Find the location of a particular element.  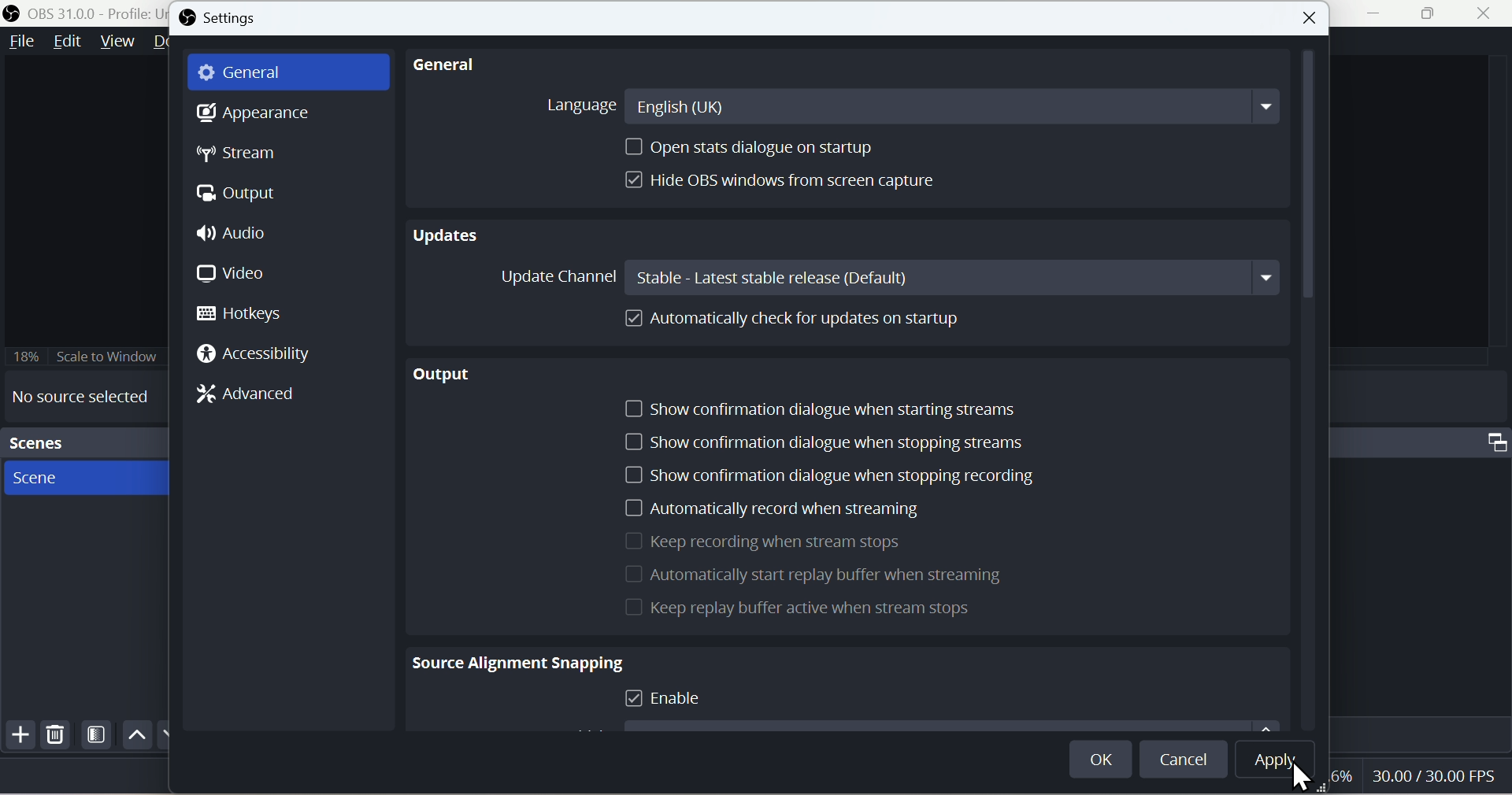

OBS 31.0.0 - Policy Untitled - Scene : New Scene is located at coordinates (86, 13).